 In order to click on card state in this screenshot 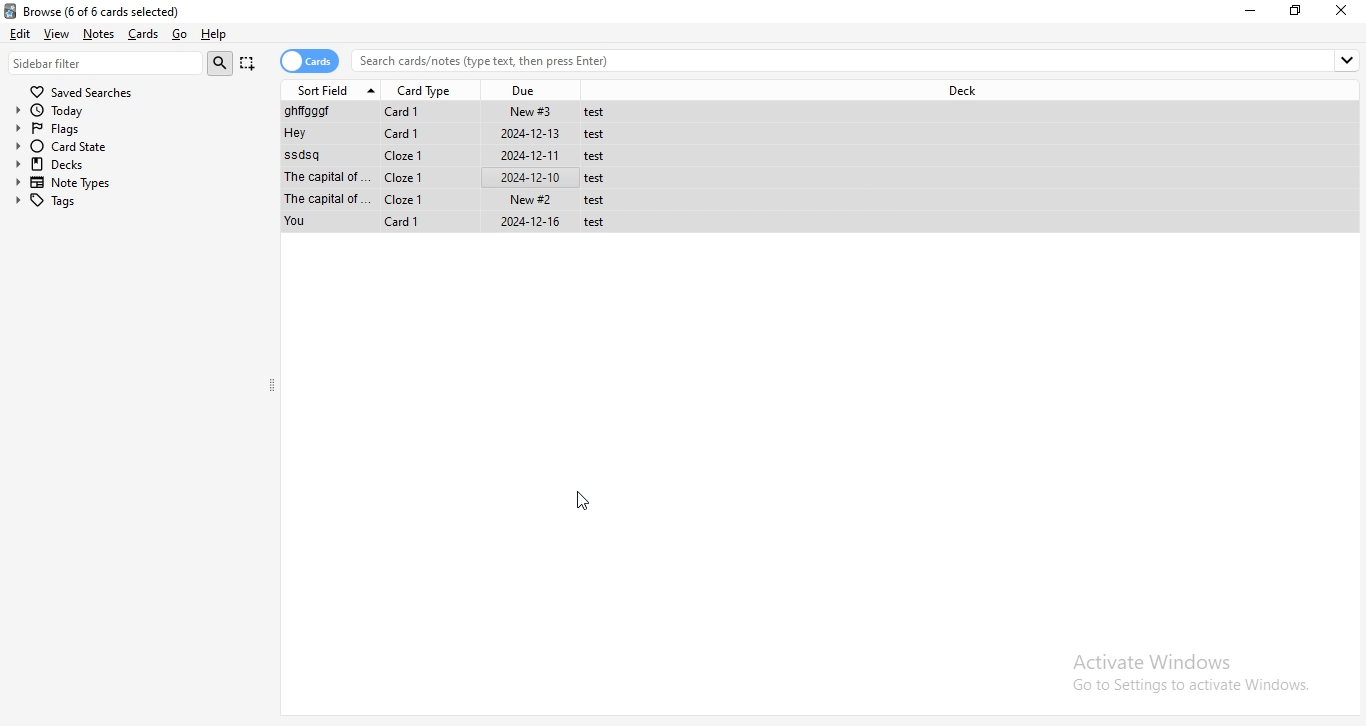, I will do `click(134, 147)`.